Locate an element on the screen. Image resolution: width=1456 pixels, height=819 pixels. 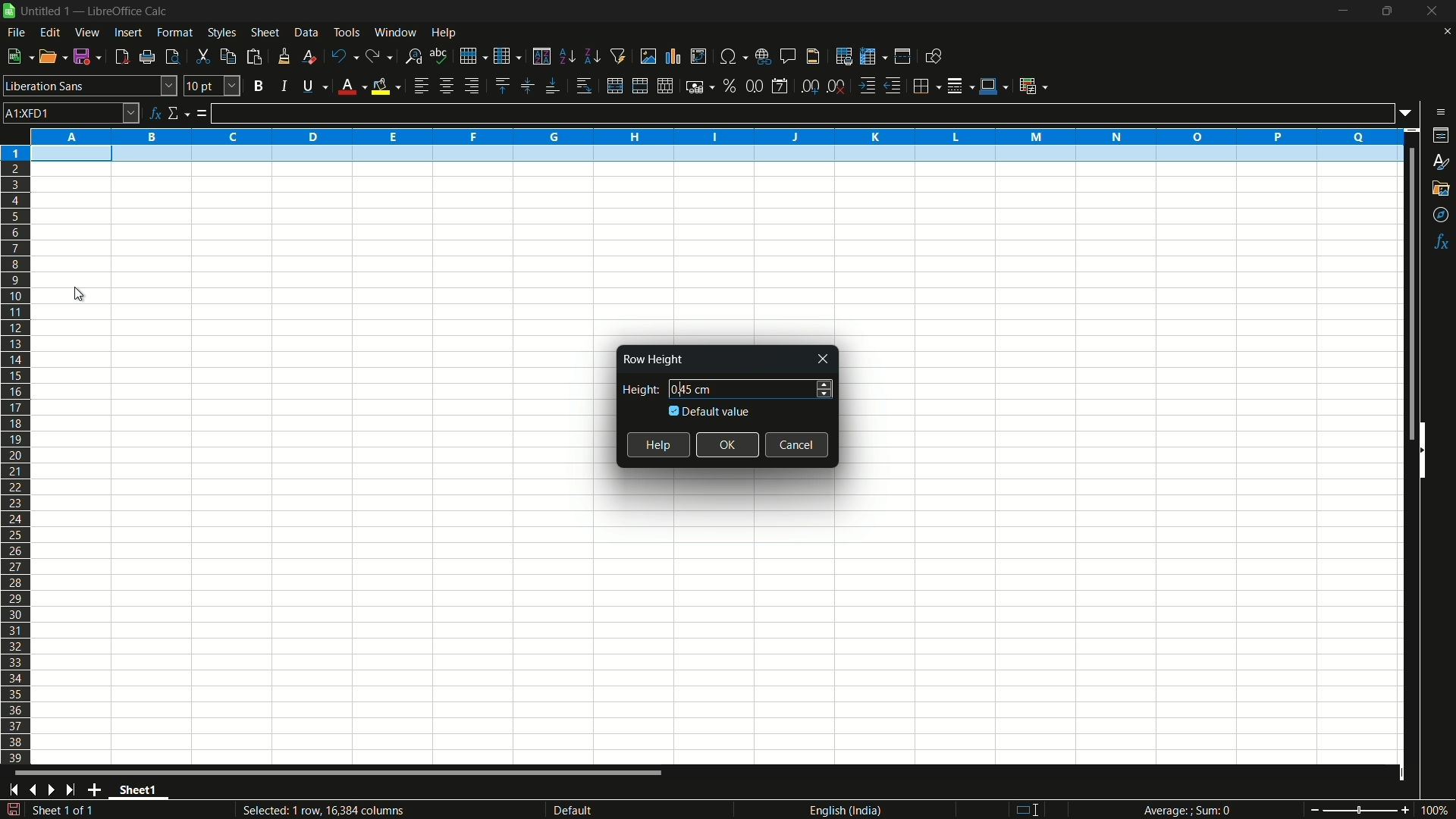
decrease indentation is located at coordinates (894, 86).